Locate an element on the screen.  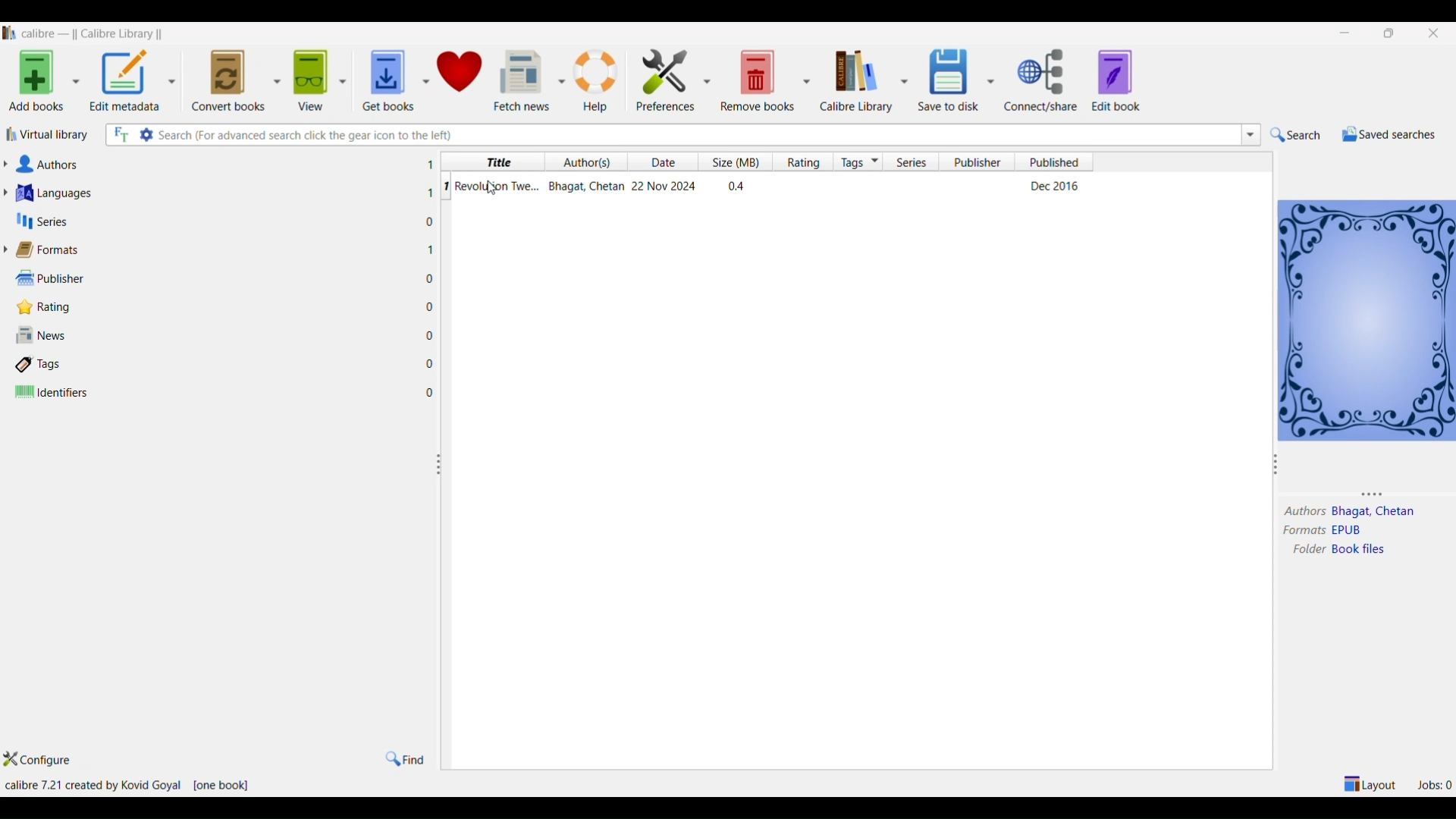
authors is located at coordinates (1304, 512).